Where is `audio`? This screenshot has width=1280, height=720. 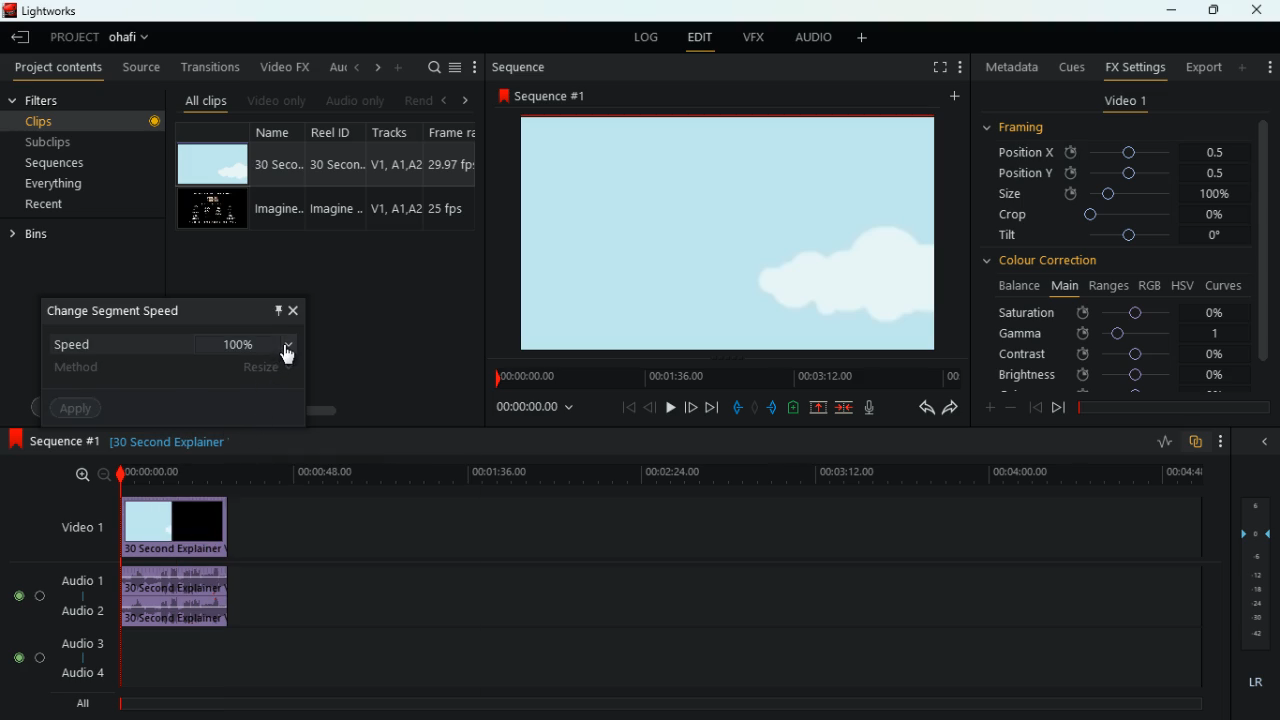 audio is located at coordinates (352, 100).